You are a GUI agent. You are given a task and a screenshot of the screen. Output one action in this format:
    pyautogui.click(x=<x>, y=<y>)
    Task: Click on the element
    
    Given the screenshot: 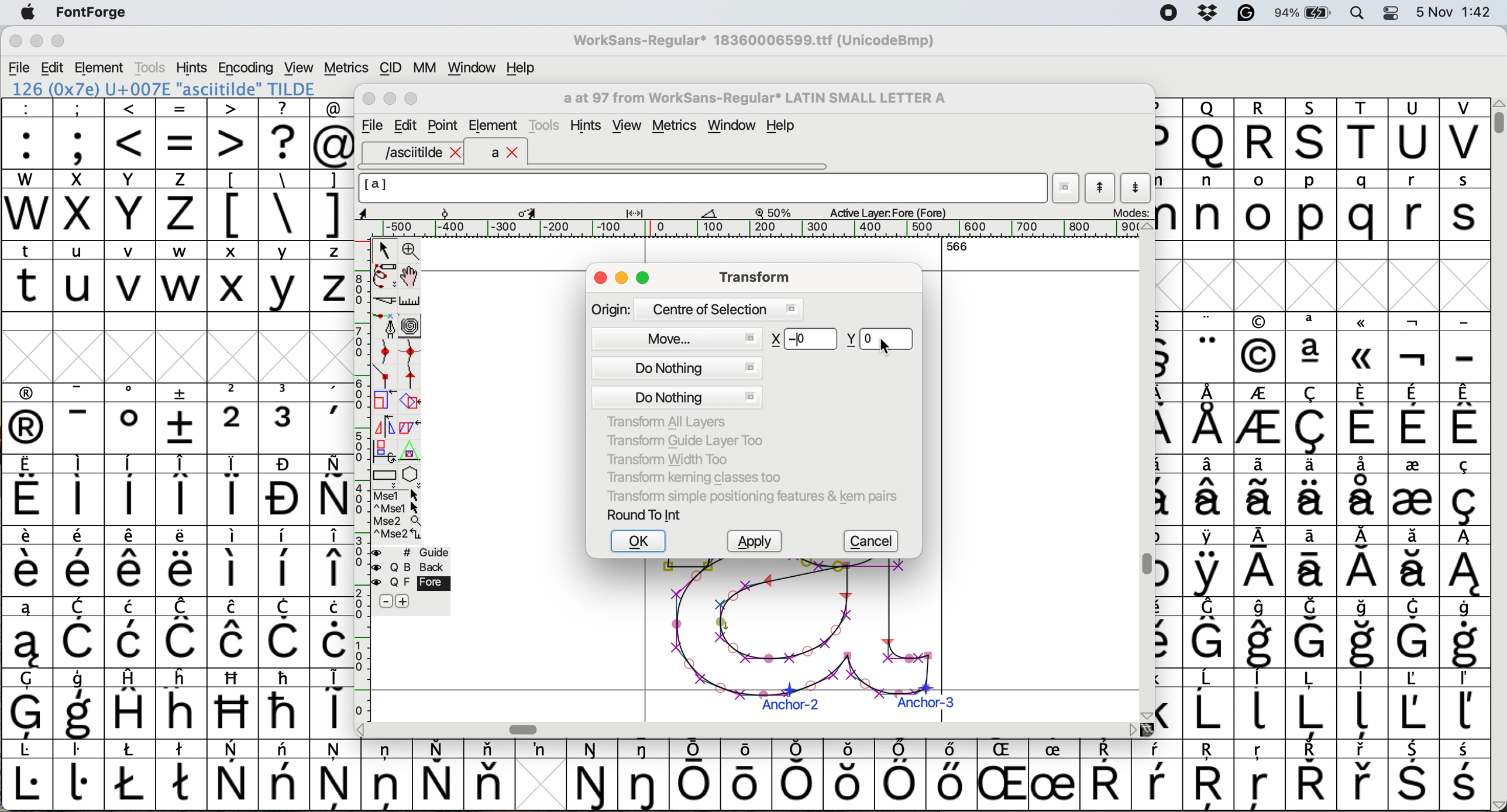 What is the action you would take?
    pyautogui.click(x=493, y=125)
    